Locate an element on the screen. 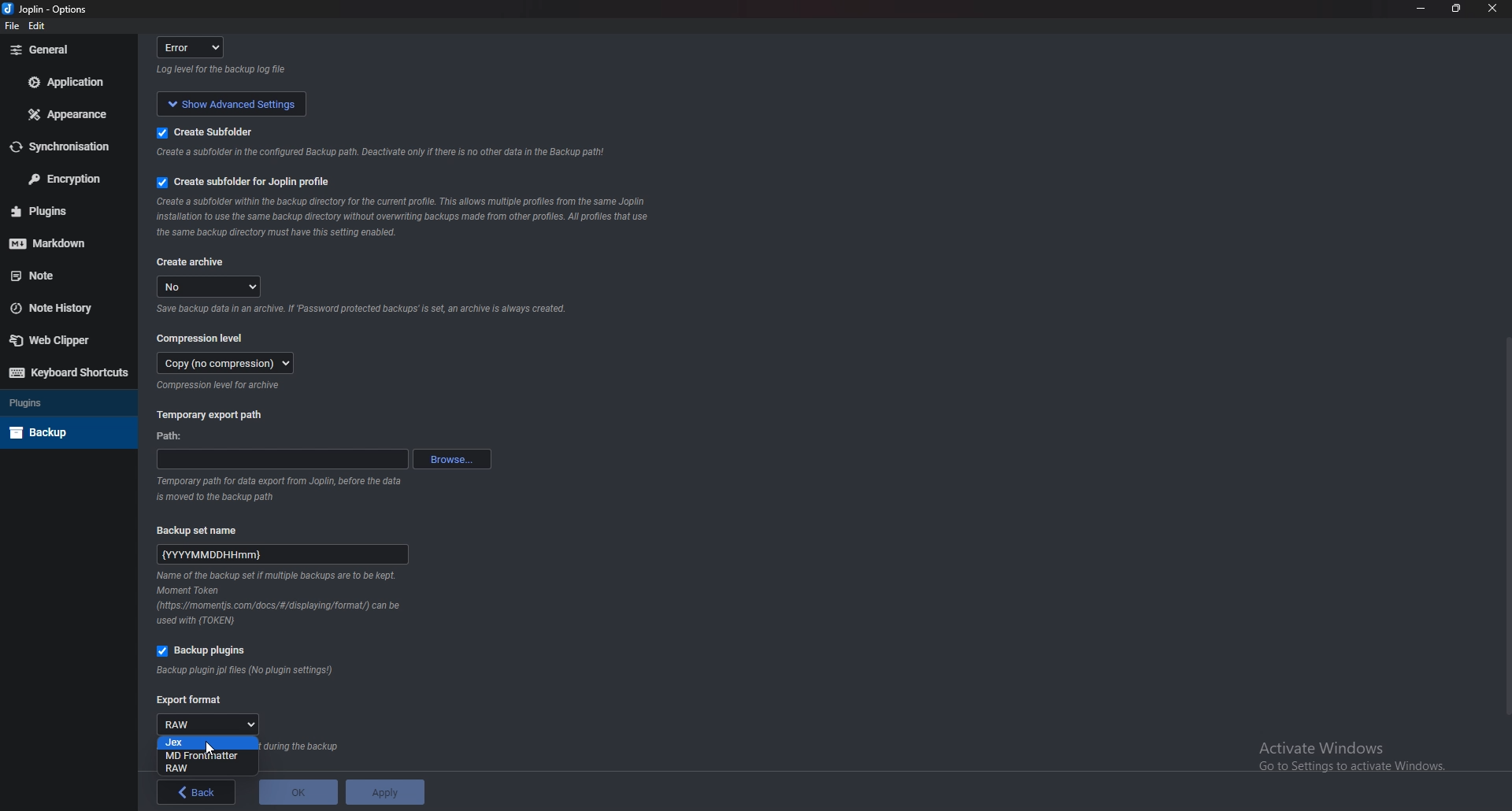 Image resolution: width=1512 pixels, height=811 pixels. Info is located at coordinates (222, 386).